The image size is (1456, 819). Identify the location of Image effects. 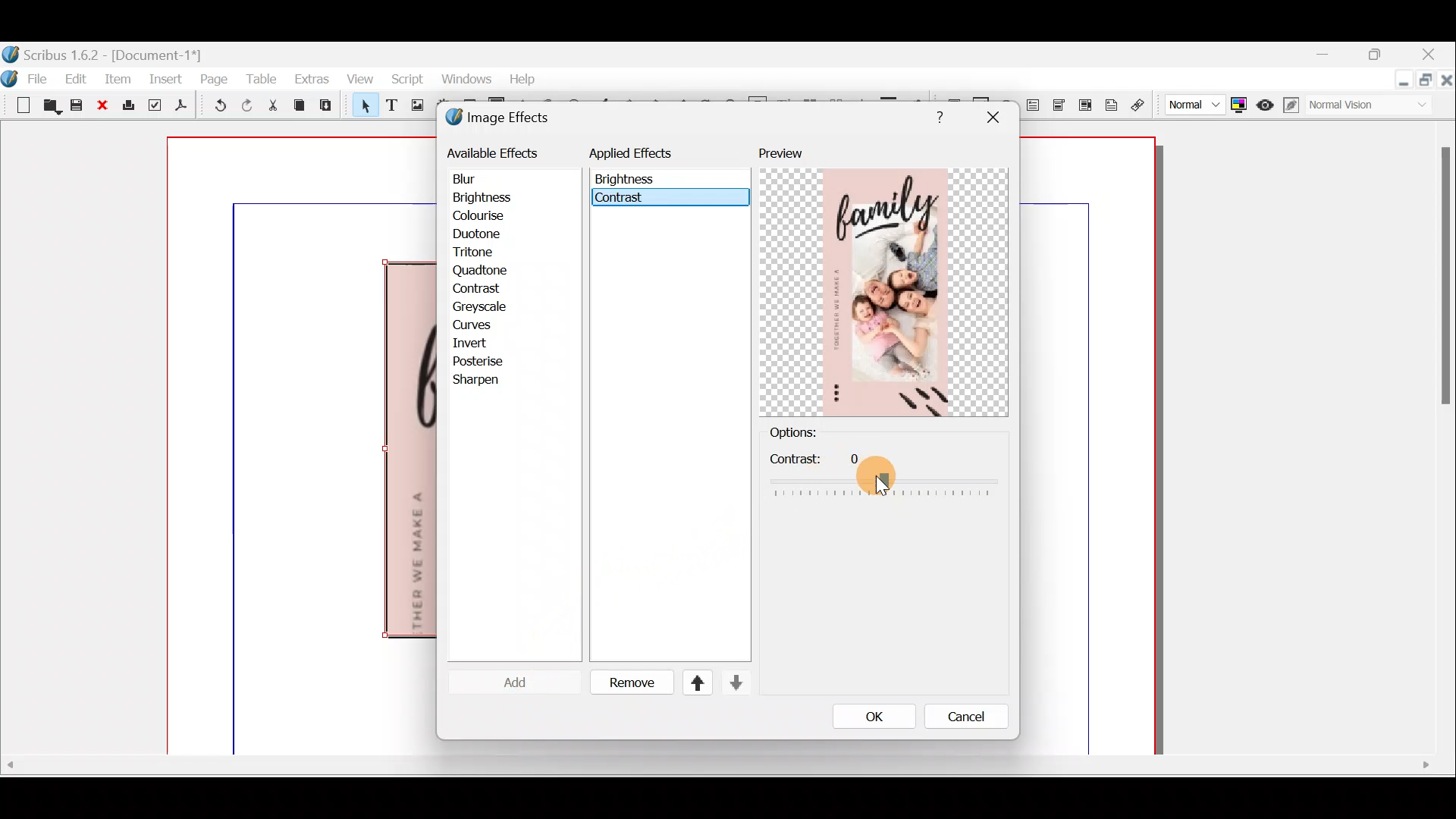
(507, 119).